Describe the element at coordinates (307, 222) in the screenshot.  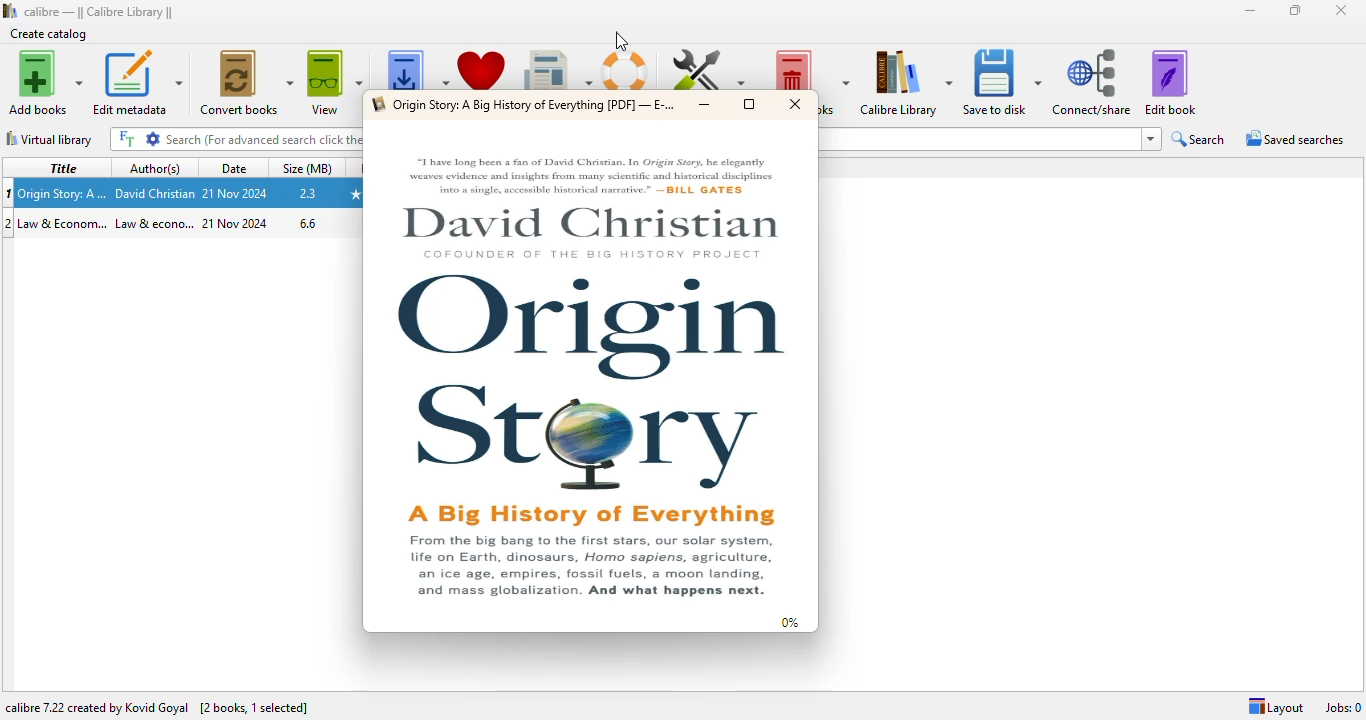
I see `size in mbs` at that location.